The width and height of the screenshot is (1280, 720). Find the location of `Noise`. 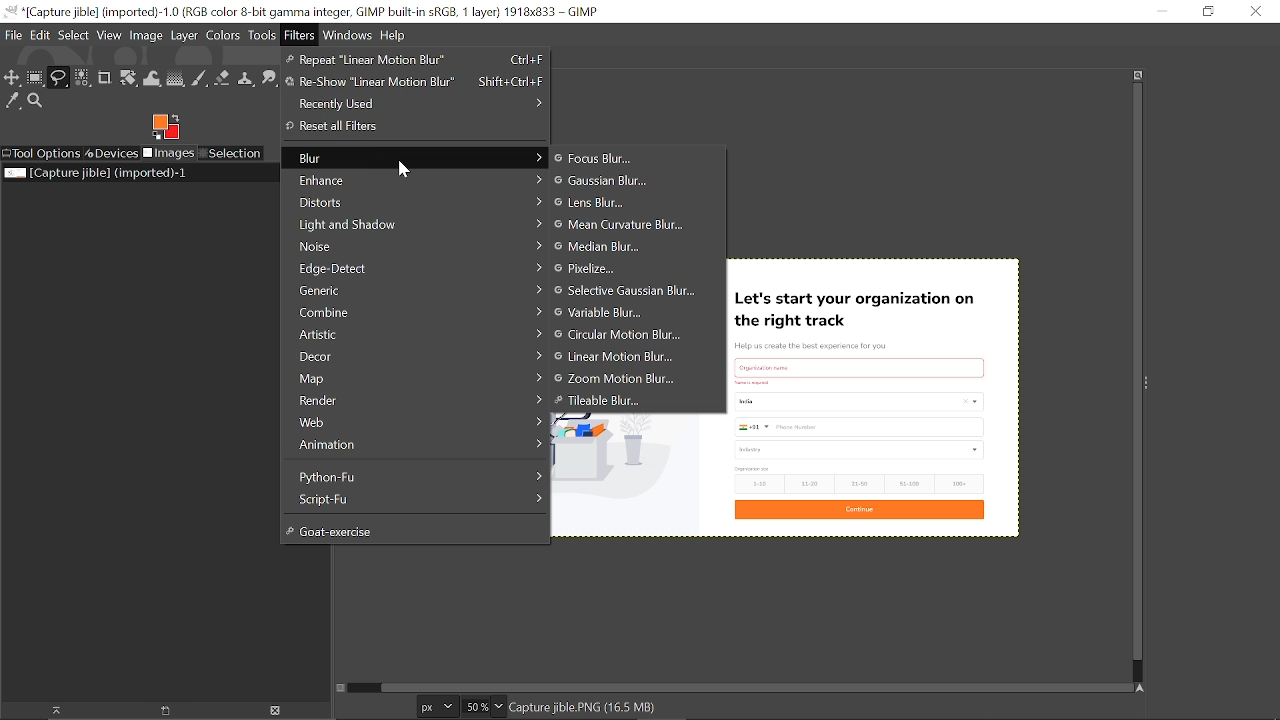

Noise is located at coordinates (415, 247).